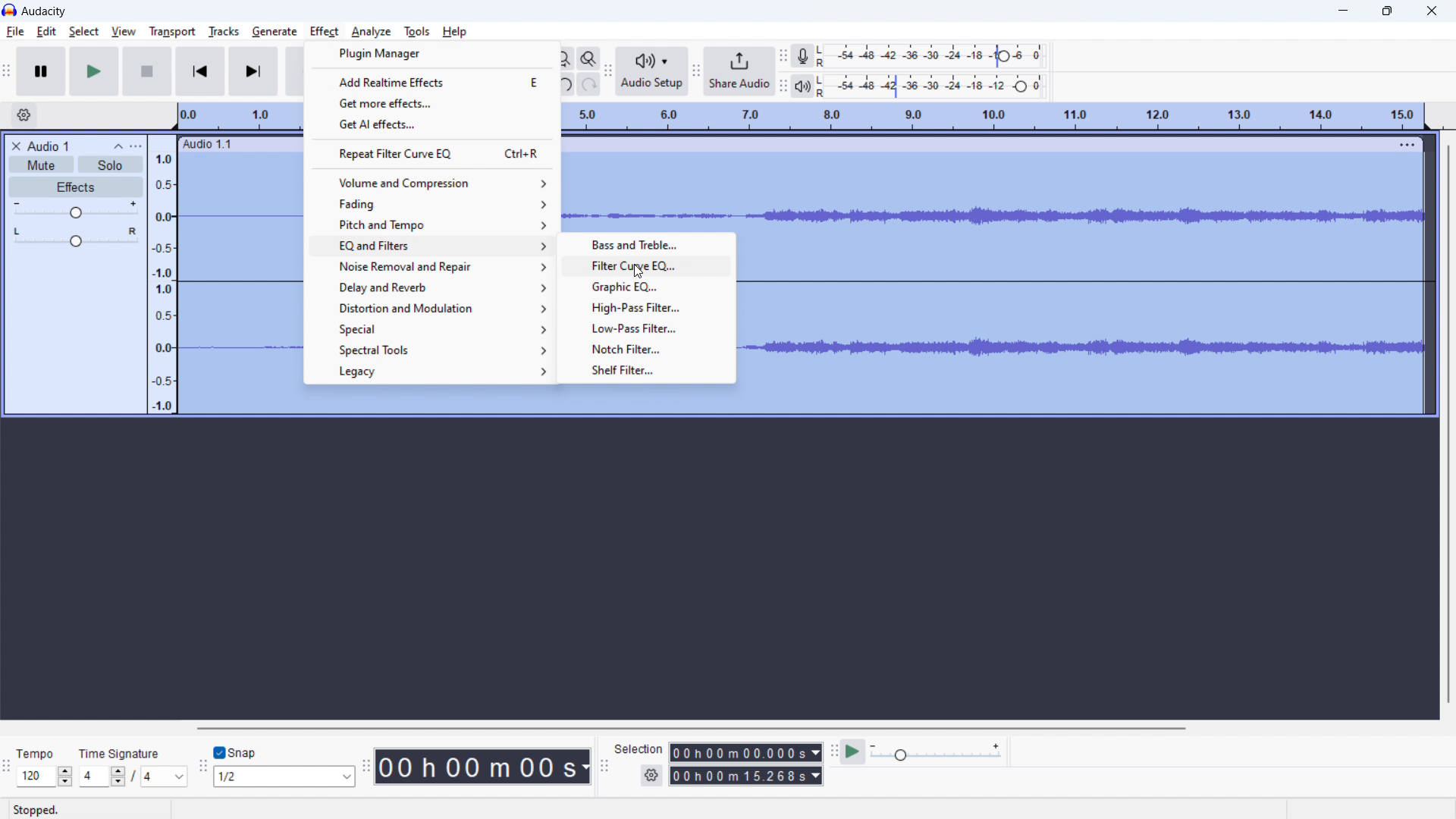  Describe the element at coordinates (124, 31) in the screenshot. I see `view` at that location.